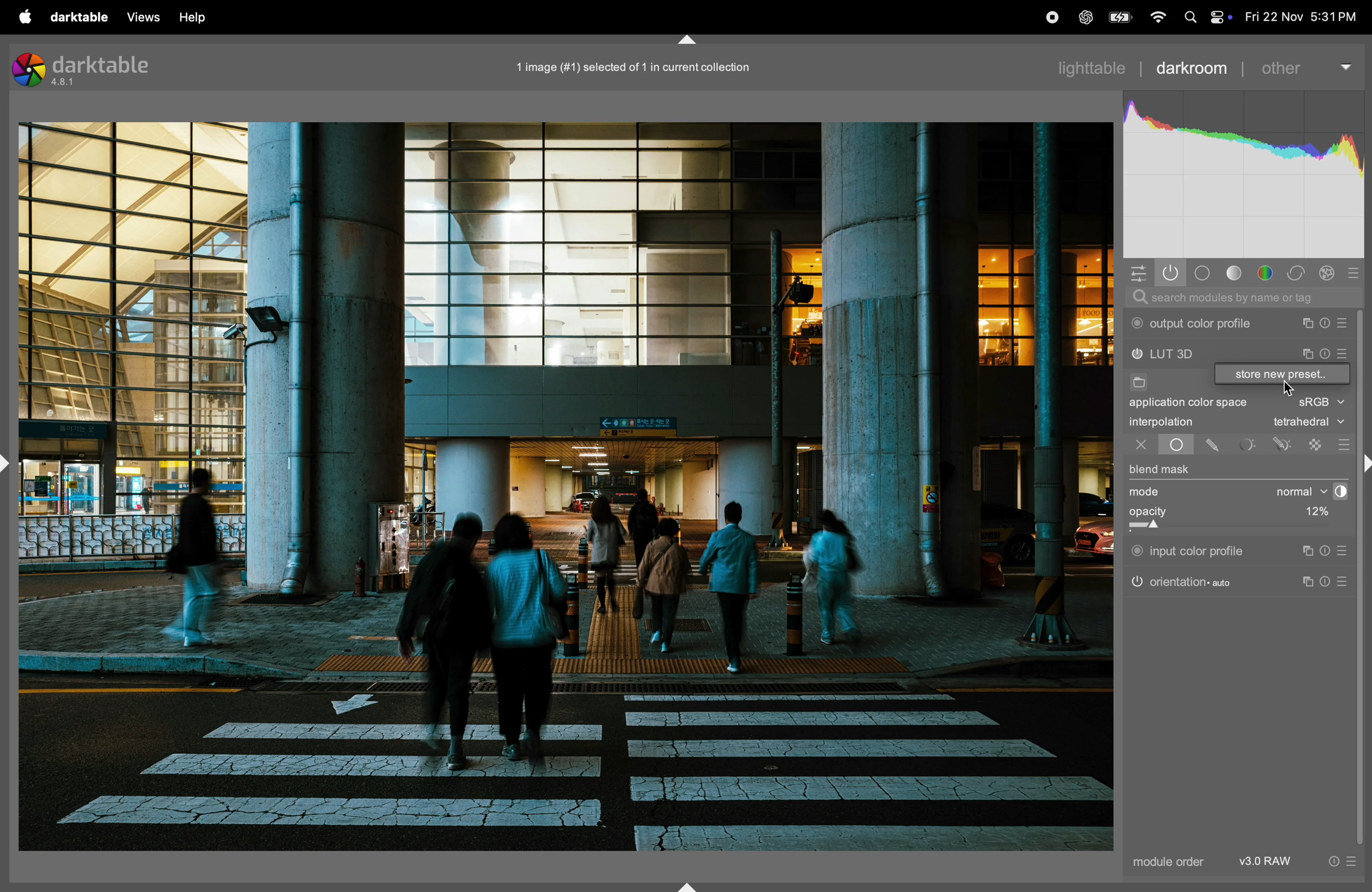  What do you see at coordinates (1269, 274) in the screenshot?
I see `color` at bounding box center [1269, 274].